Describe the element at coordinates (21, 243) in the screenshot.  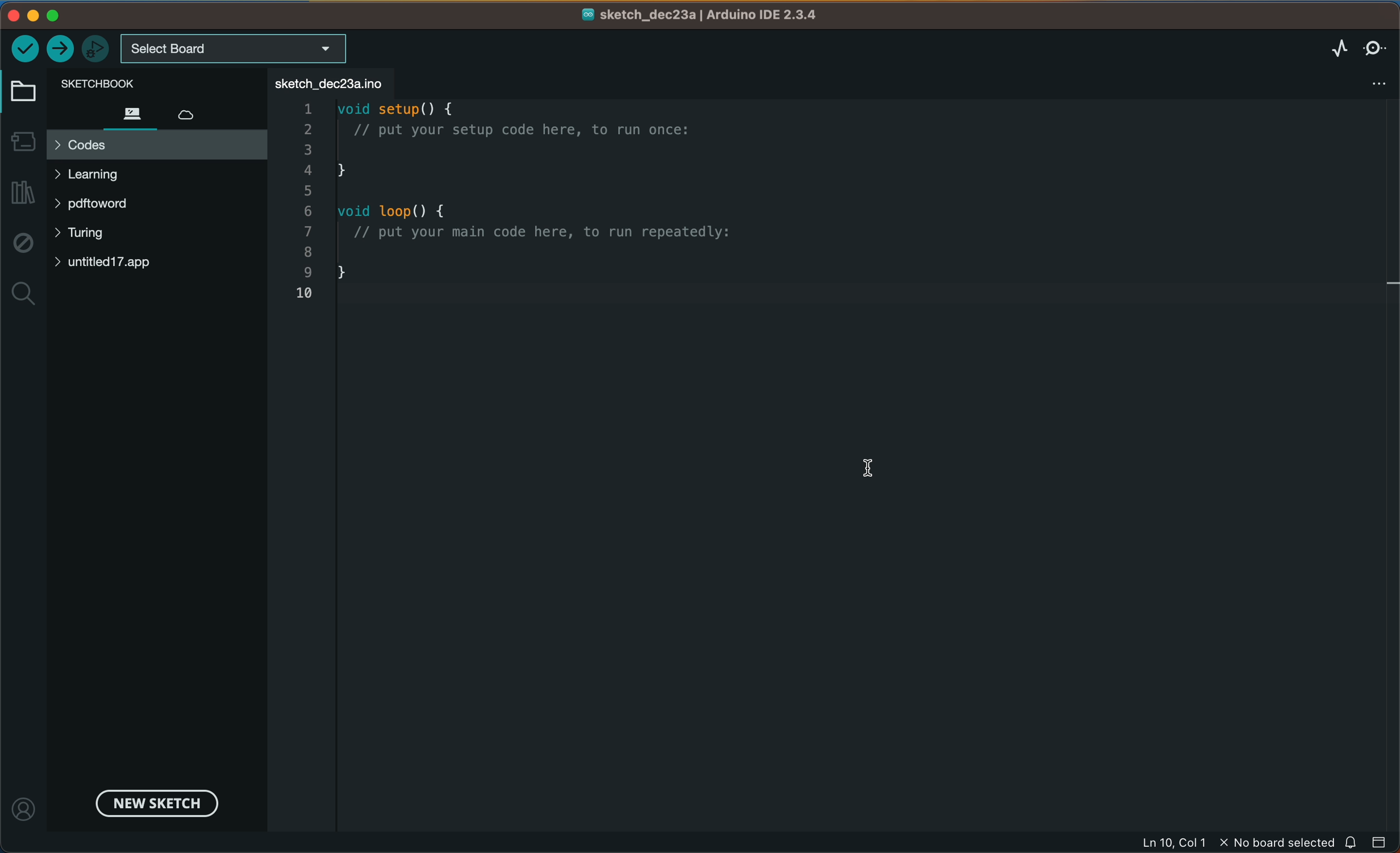
I see `debug` at that location.